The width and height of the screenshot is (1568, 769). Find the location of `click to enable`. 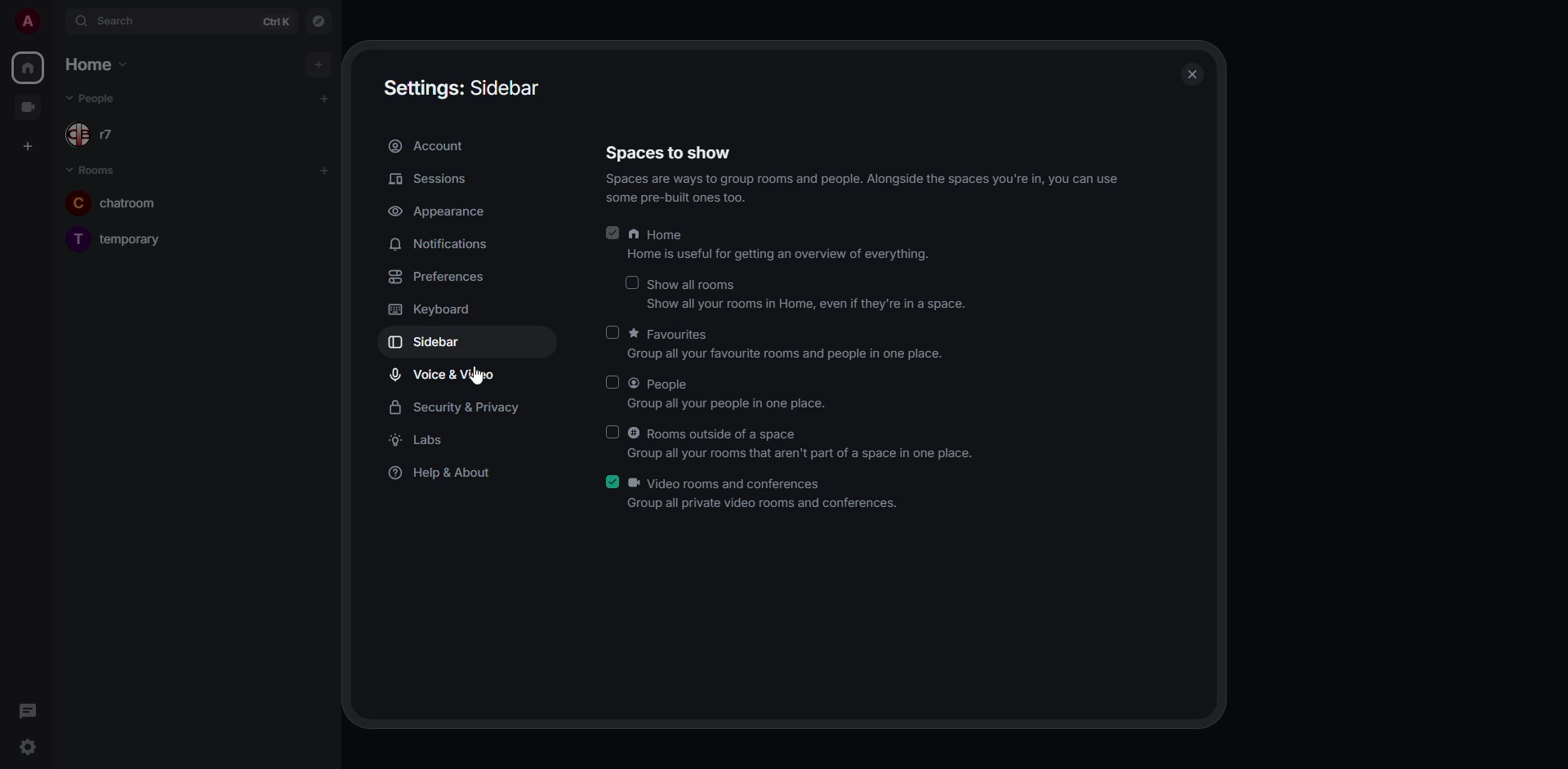

click to enable is located at coordinates (633, 282).